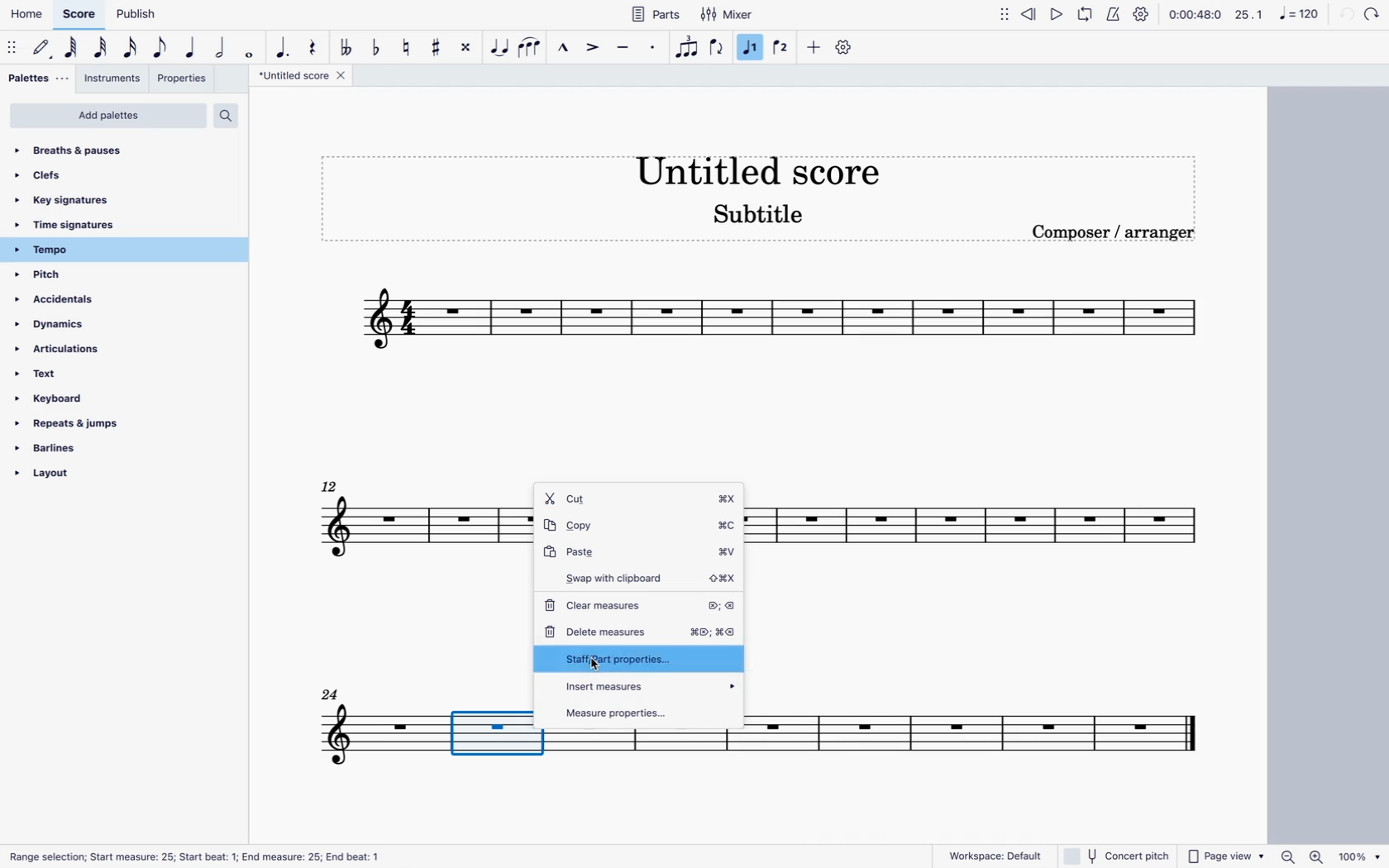 This screenshot has height=868, width=1389. What do you see at coordinates (408, 48) in the screenshot?
I see `toggle natural` at bounding box center [408, 48].